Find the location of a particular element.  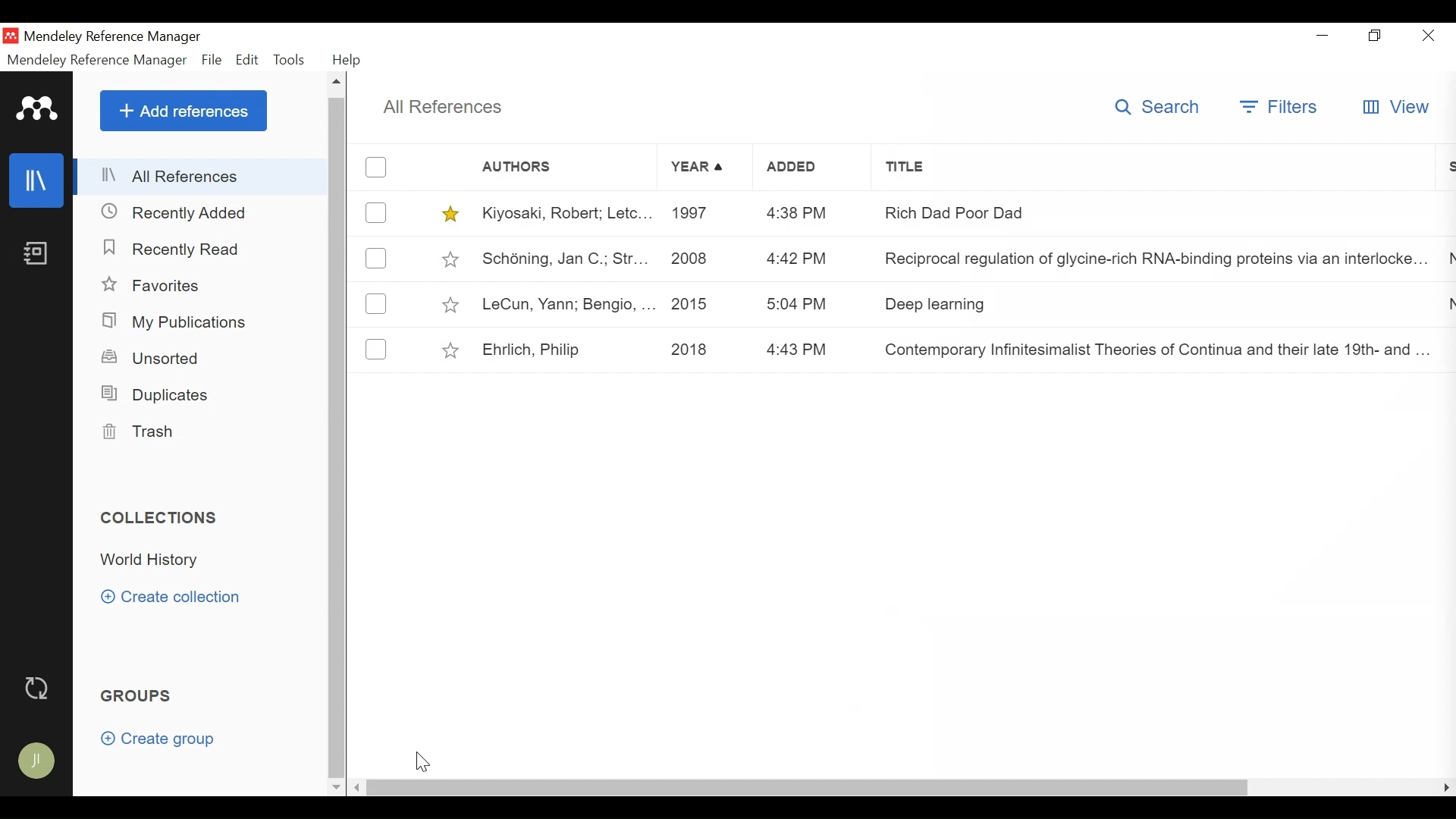

Help is located at coordinates (347, 60).